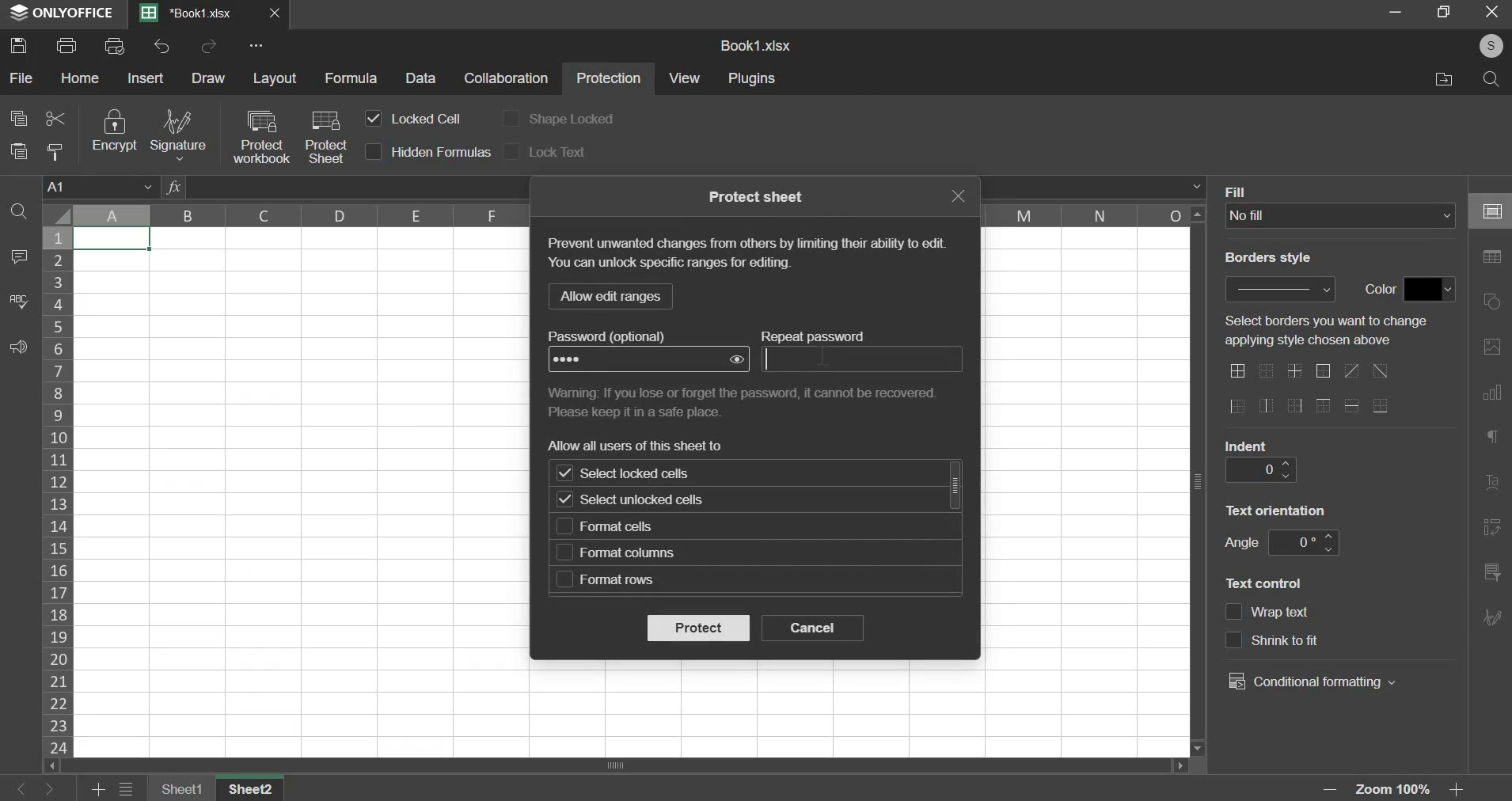 The width and height of the screenshot is (1512, 801). What do you see at coordinates (564, 474) in the screenshot?
I see `checkbox` at bounding box center [564, 474].